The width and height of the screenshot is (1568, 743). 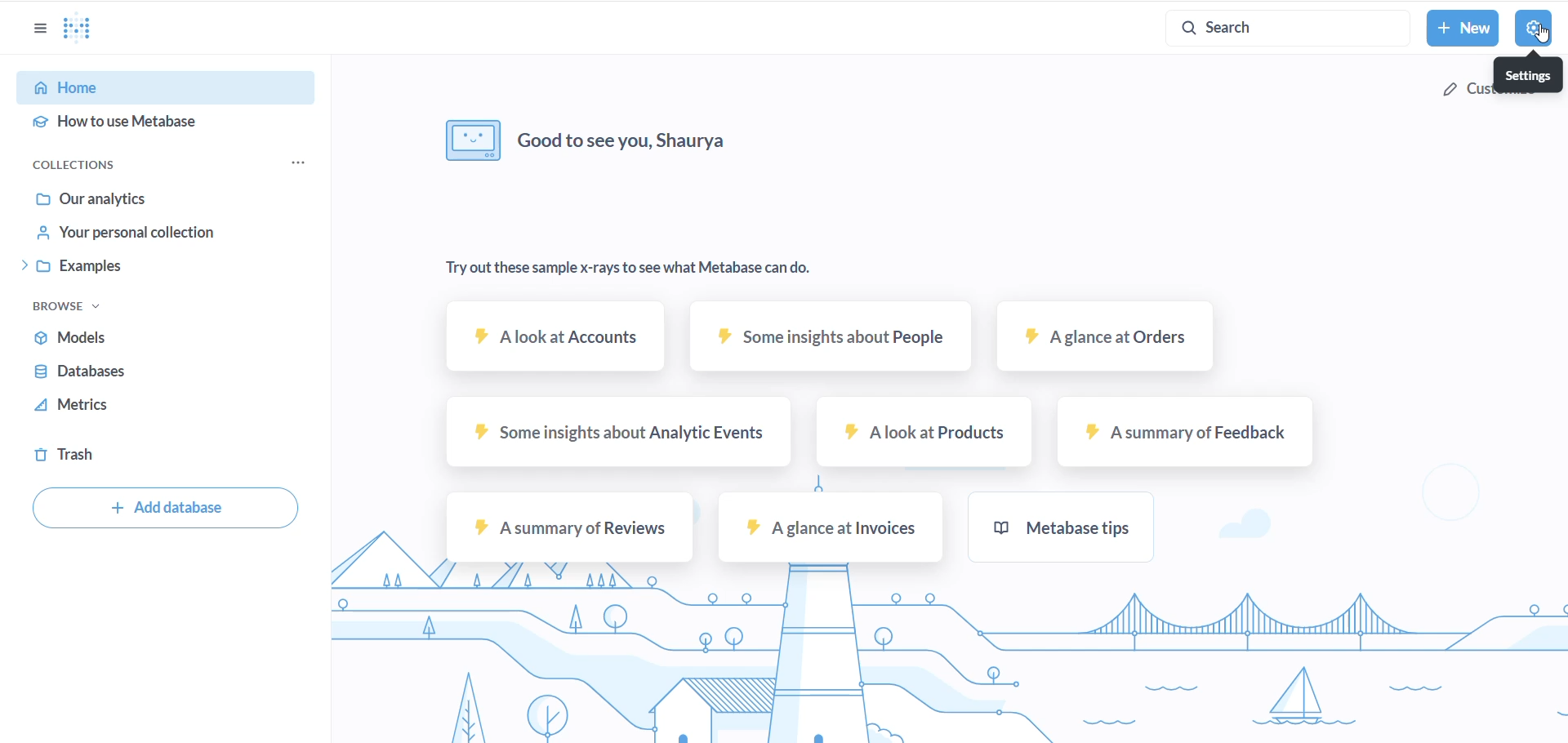 I want to click on A glance at orders sample, so click(x=1105, y=340).